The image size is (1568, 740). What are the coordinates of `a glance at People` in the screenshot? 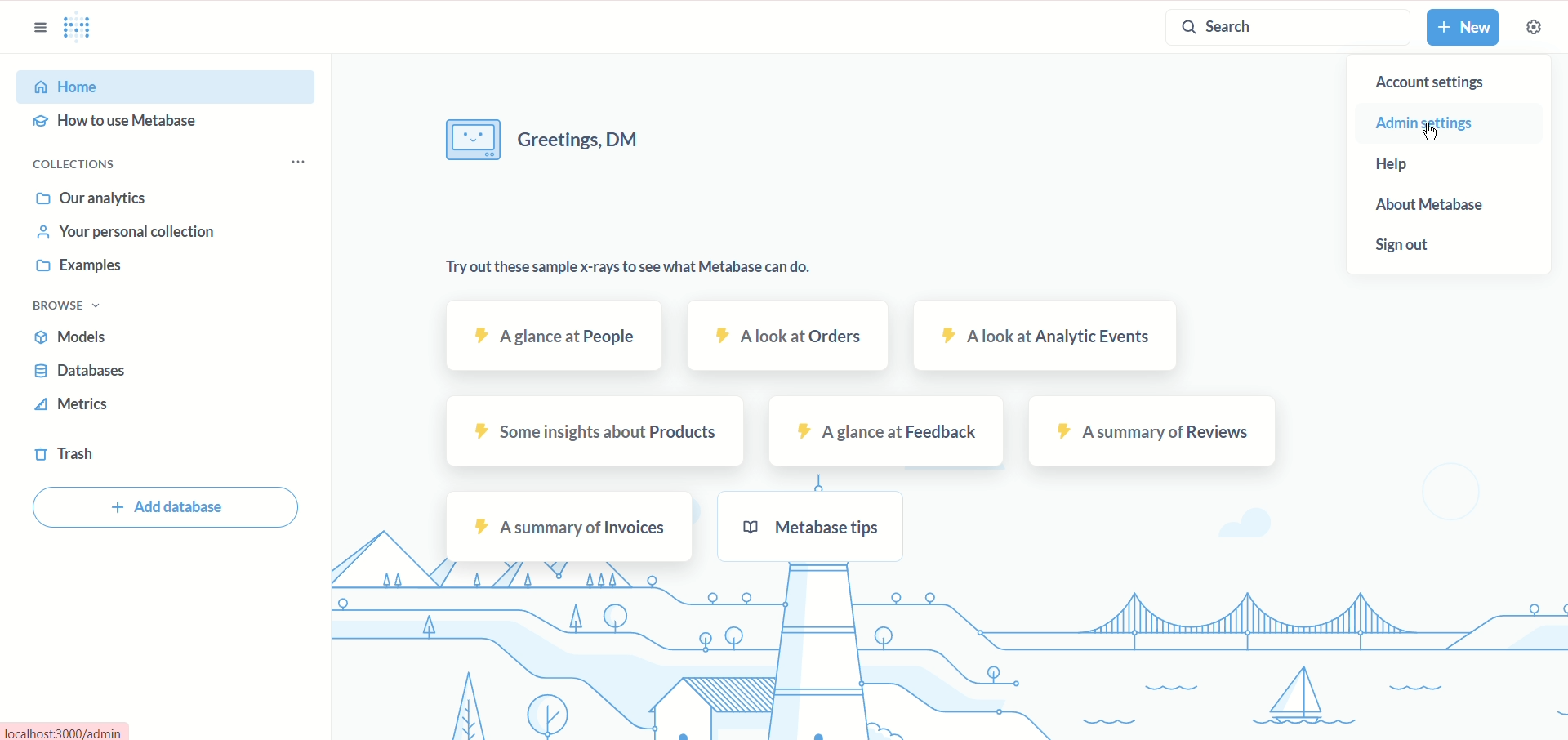 It's located at (547, 338).